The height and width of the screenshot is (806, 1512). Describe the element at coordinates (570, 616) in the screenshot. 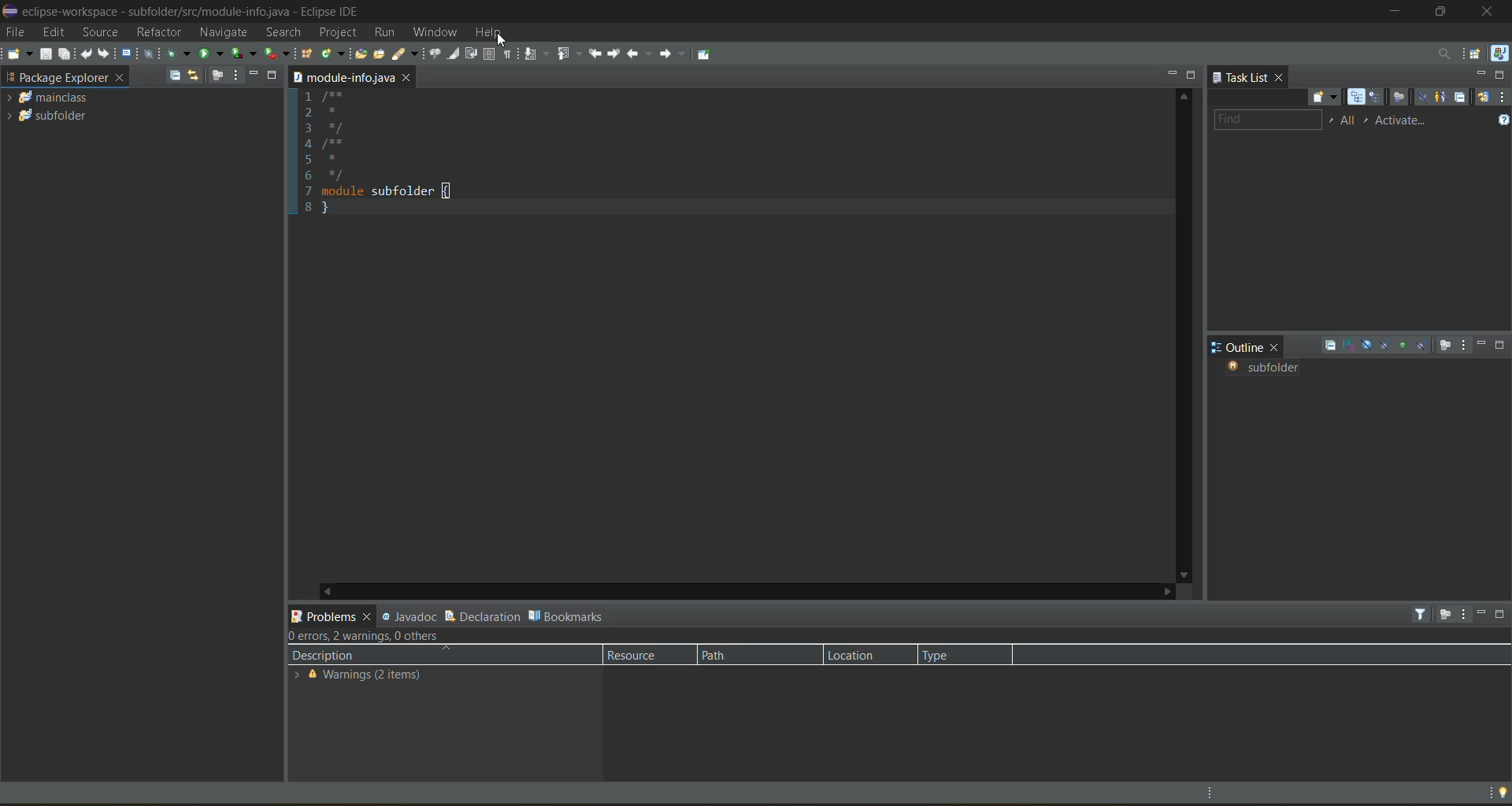

I see `bookmarks` at that location.